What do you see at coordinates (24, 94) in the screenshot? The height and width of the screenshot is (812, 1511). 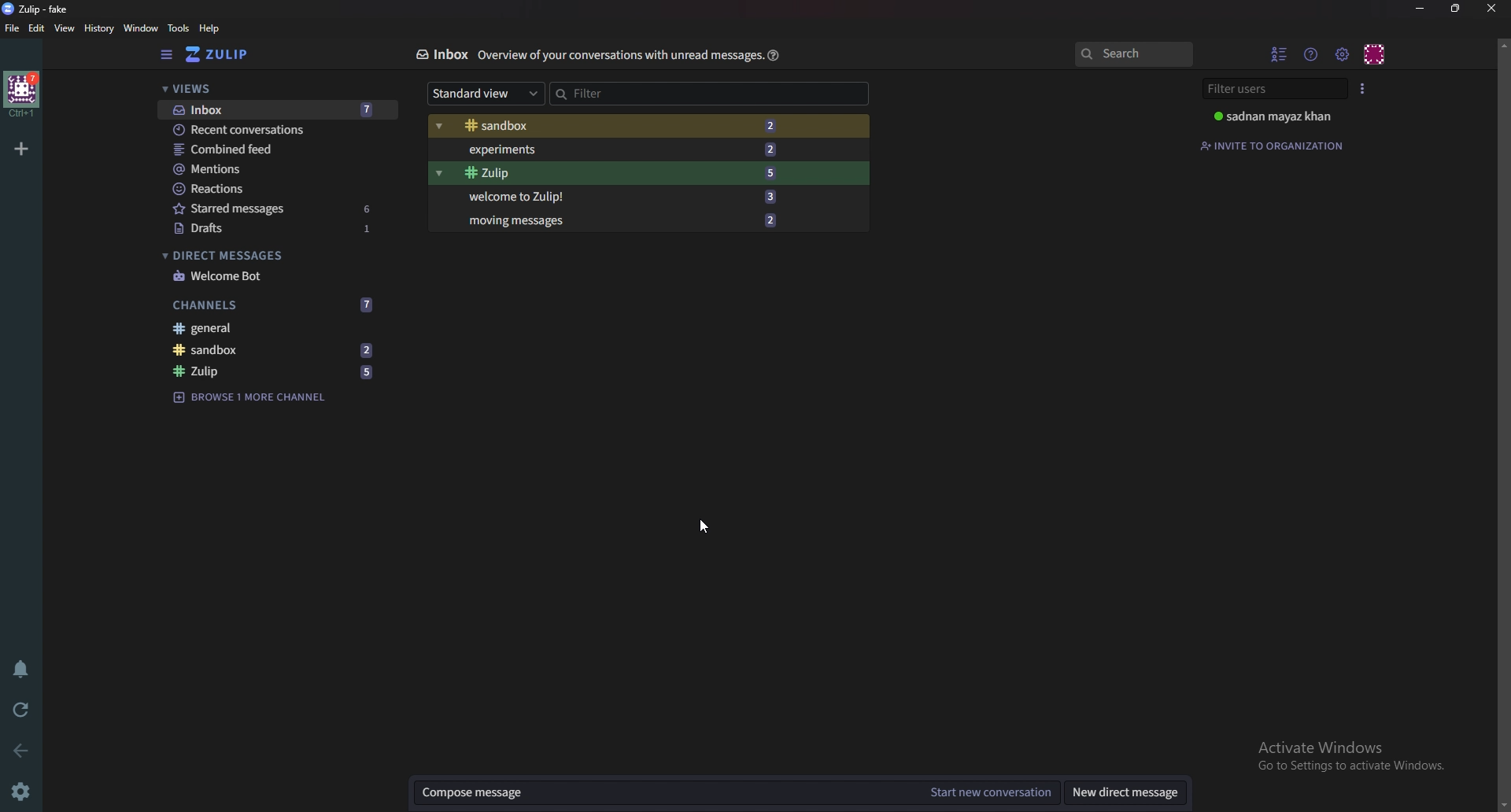 I see `home` at bounding box center [24, 94].